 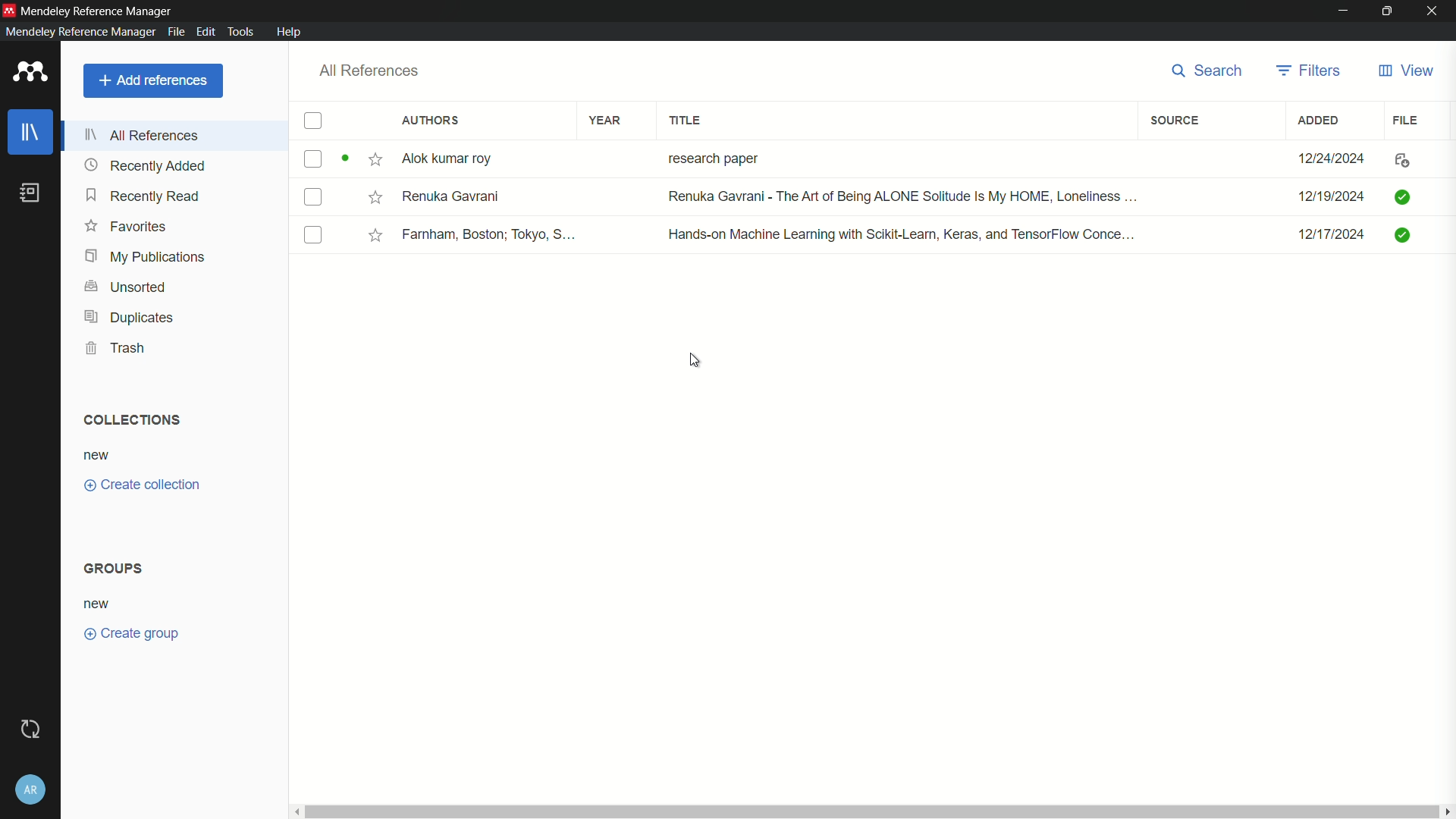 I want to click on file, so click(x=1406, y=120).